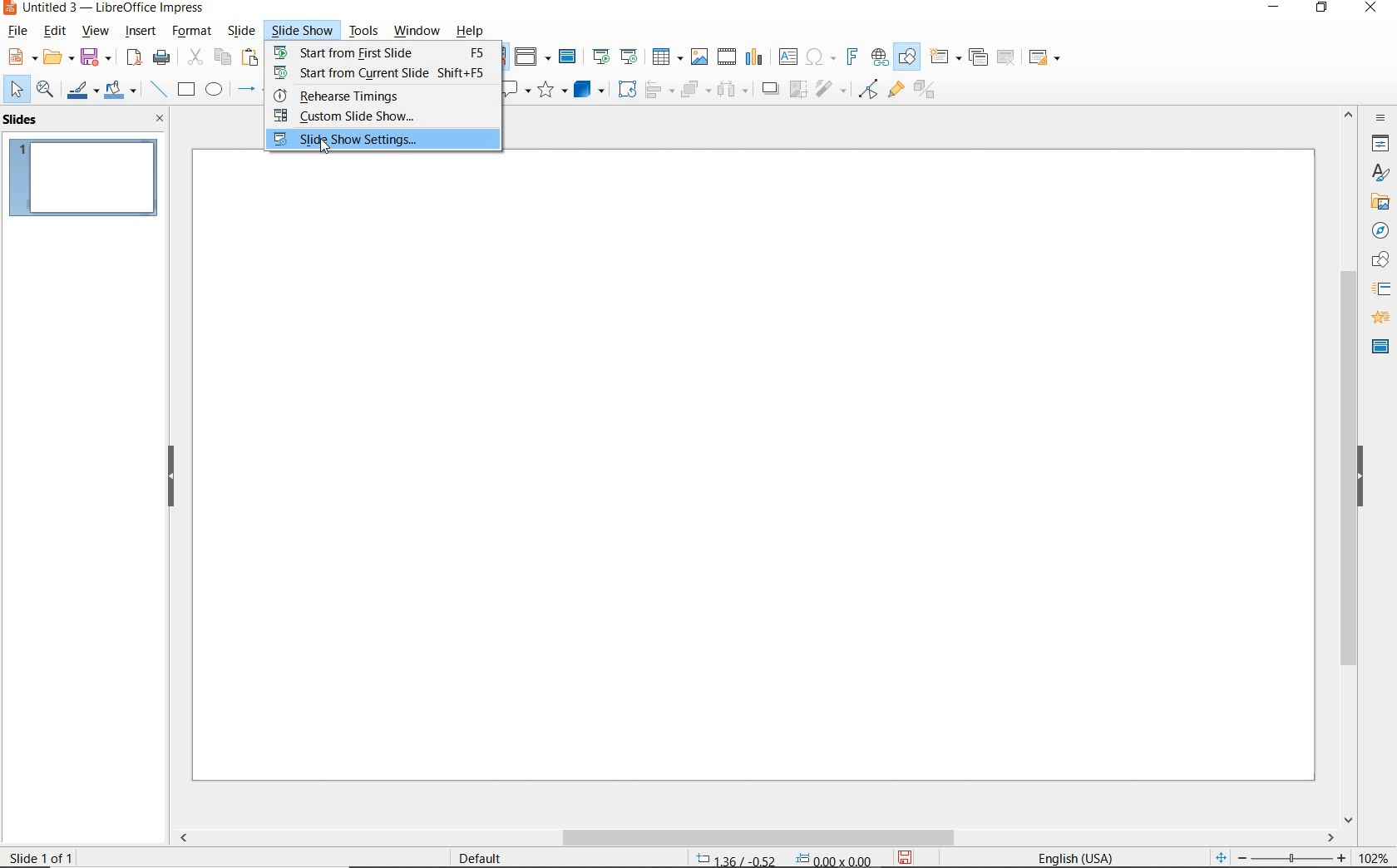  Describe the element at coordinates (600, 57) in the screenshot. I see `START FROM FIRST SLIDE` at that location.